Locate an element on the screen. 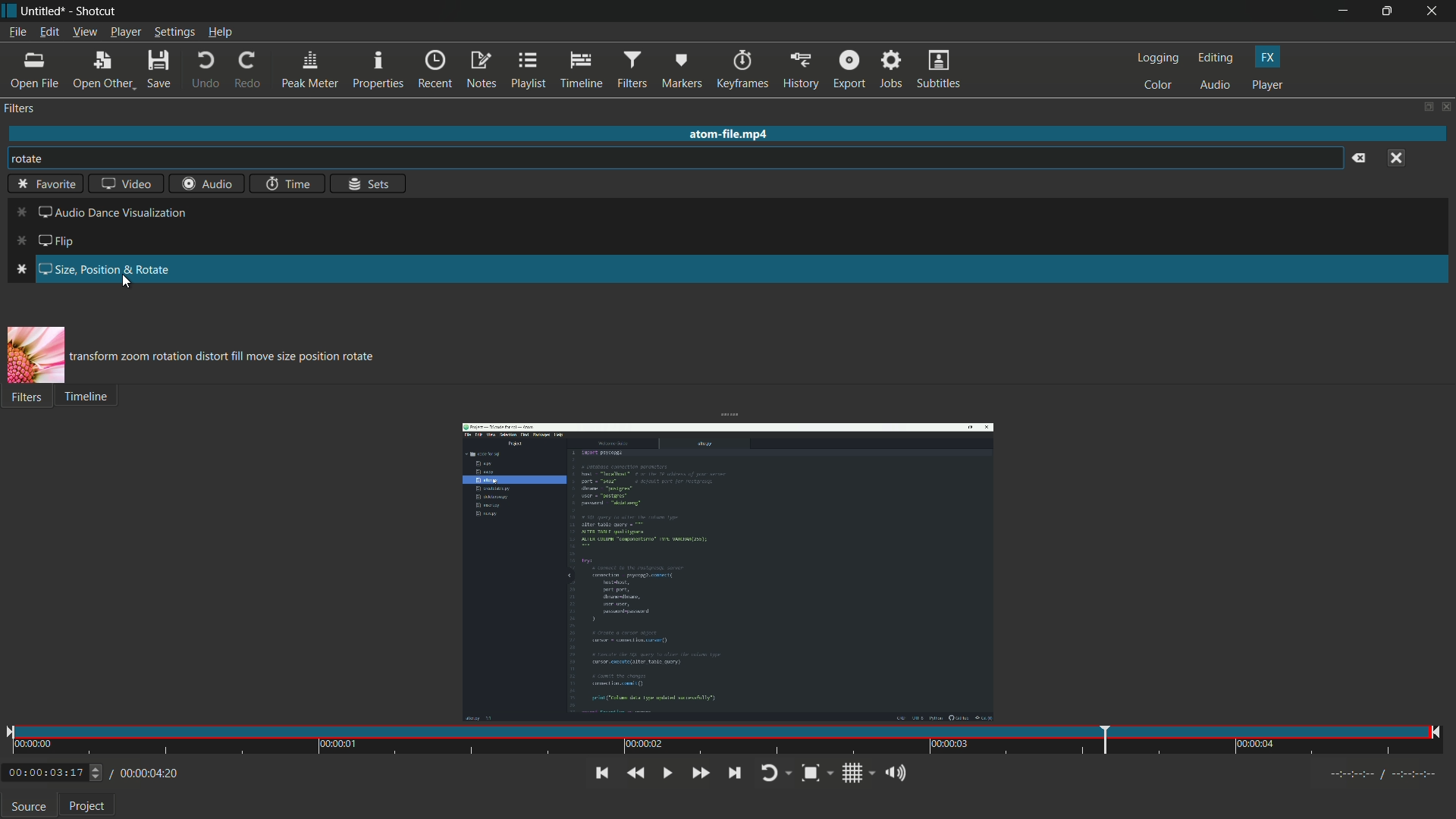 The width and height of the screenshot is (1456, 819). Filters is located at coordinates (31, 401).